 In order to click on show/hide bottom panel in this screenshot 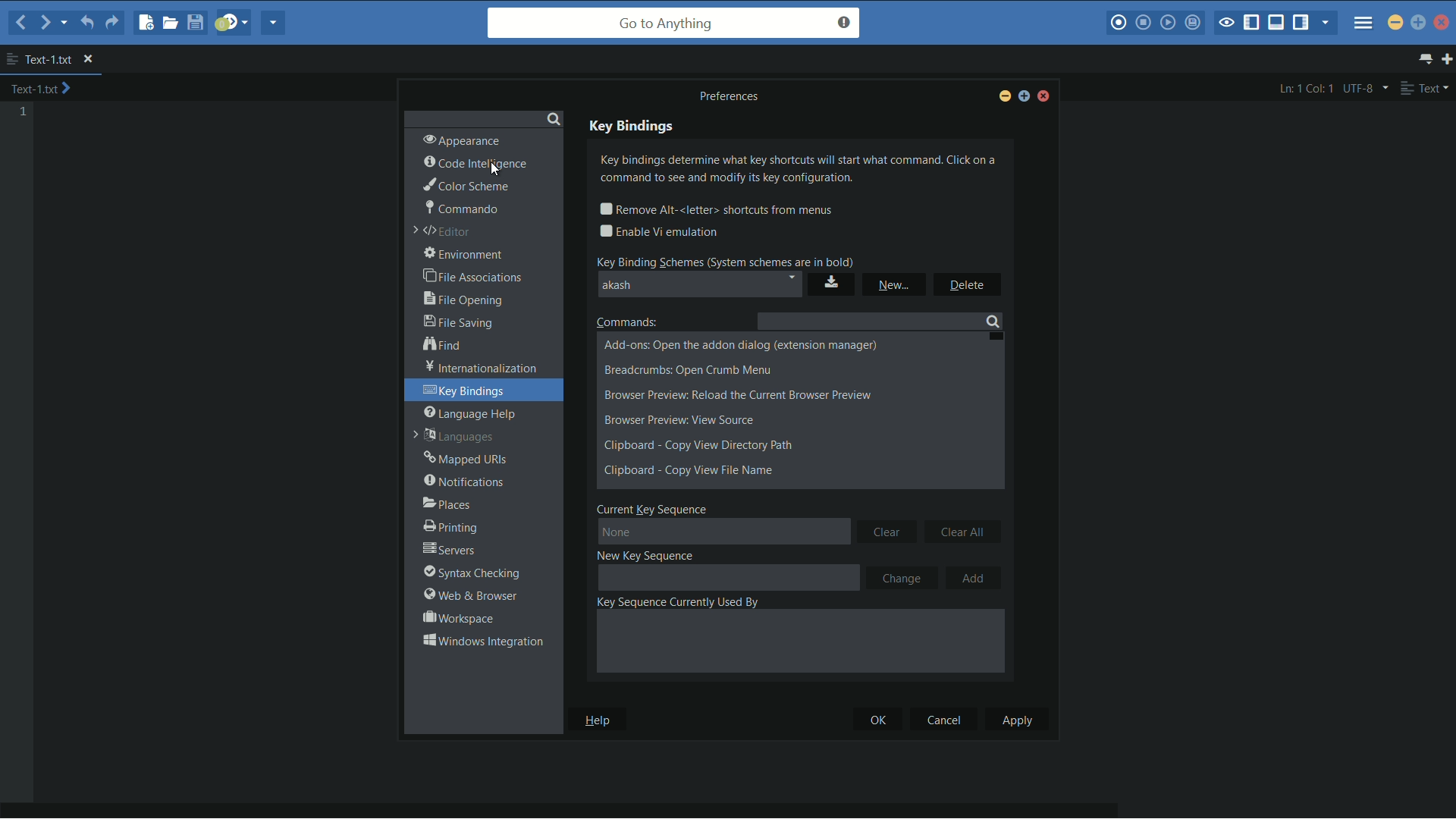, I will do `click(1277, 23)`.